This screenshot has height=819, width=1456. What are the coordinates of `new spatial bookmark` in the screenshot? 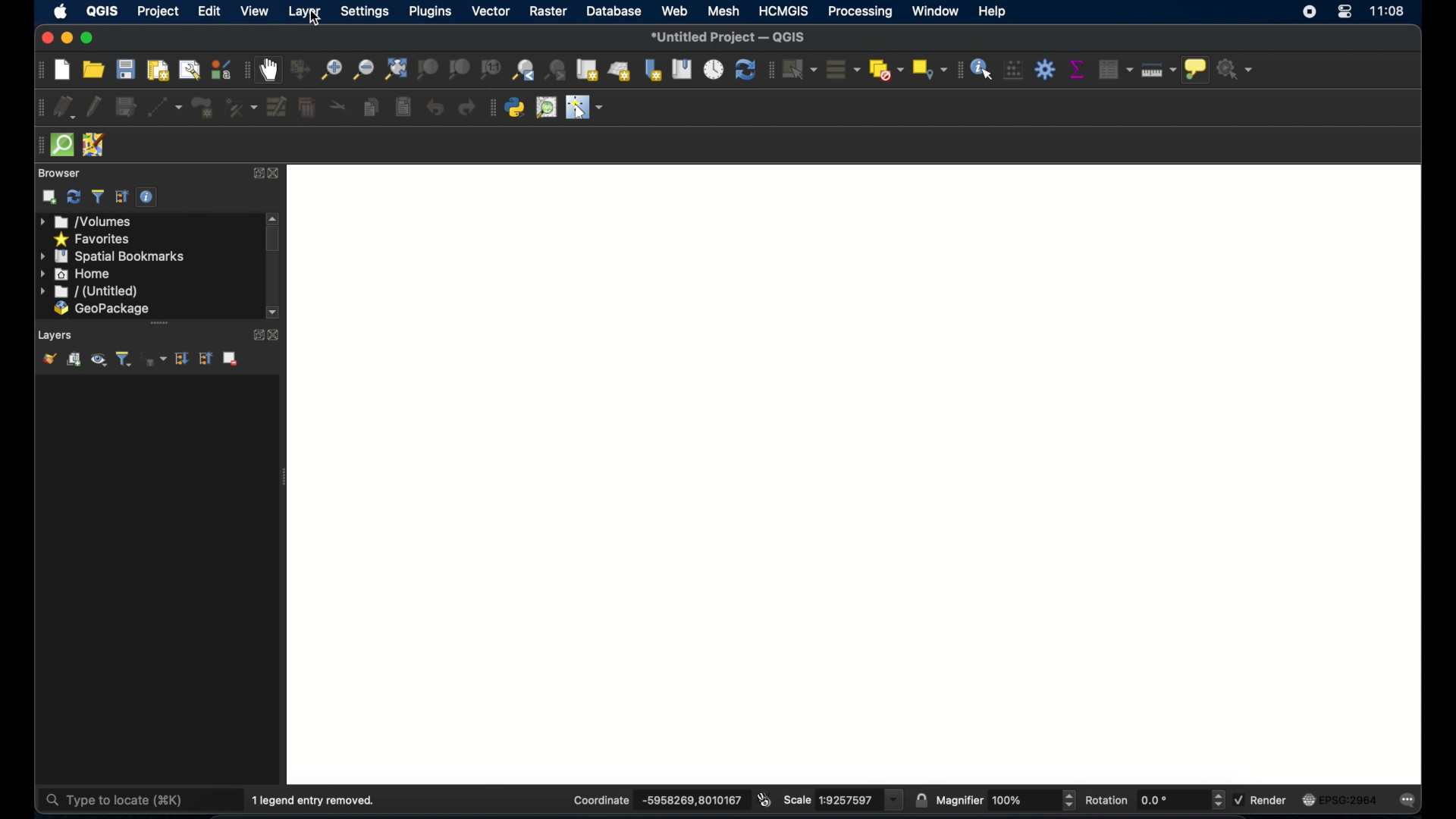 It's located at (654, 69).